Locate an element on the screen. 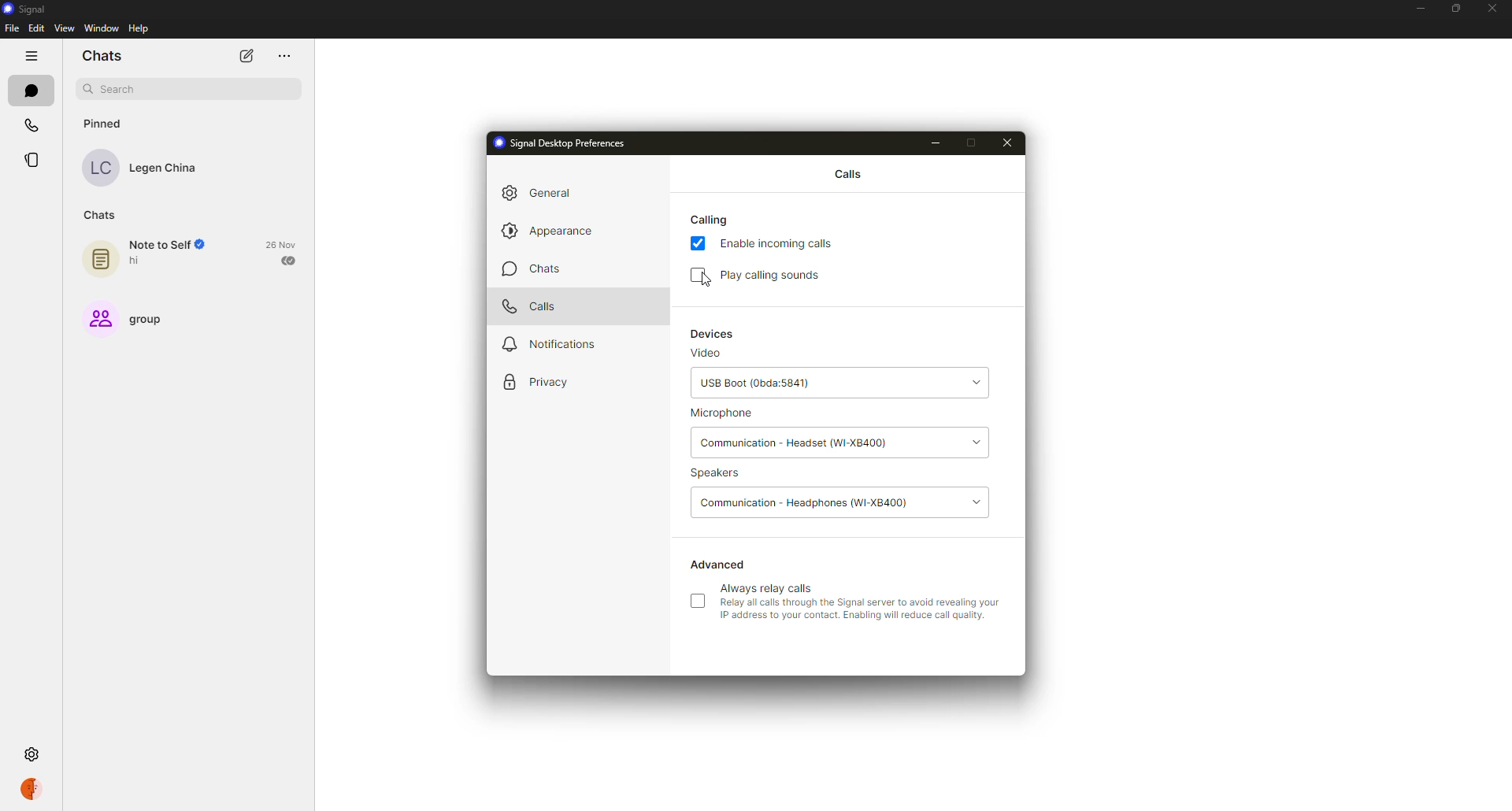  LC is located at coordinates (100, 170).